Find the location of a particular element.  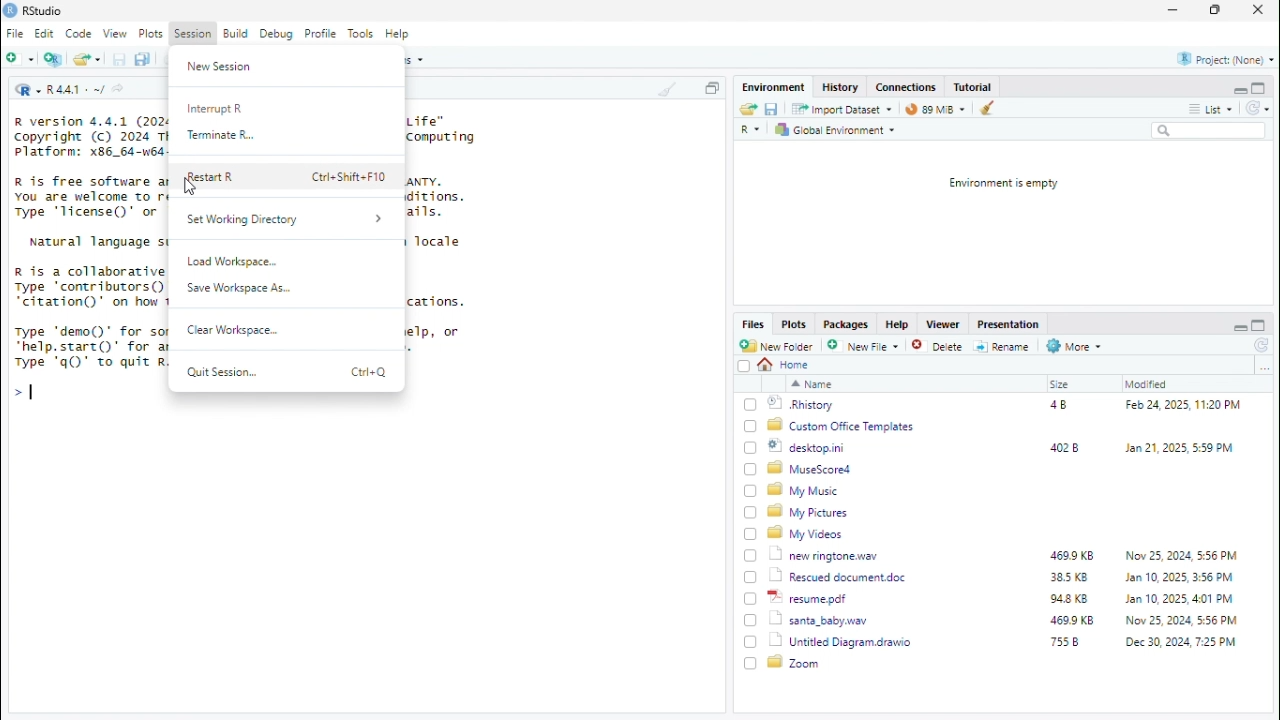

R is located at coordinates (27, 89).